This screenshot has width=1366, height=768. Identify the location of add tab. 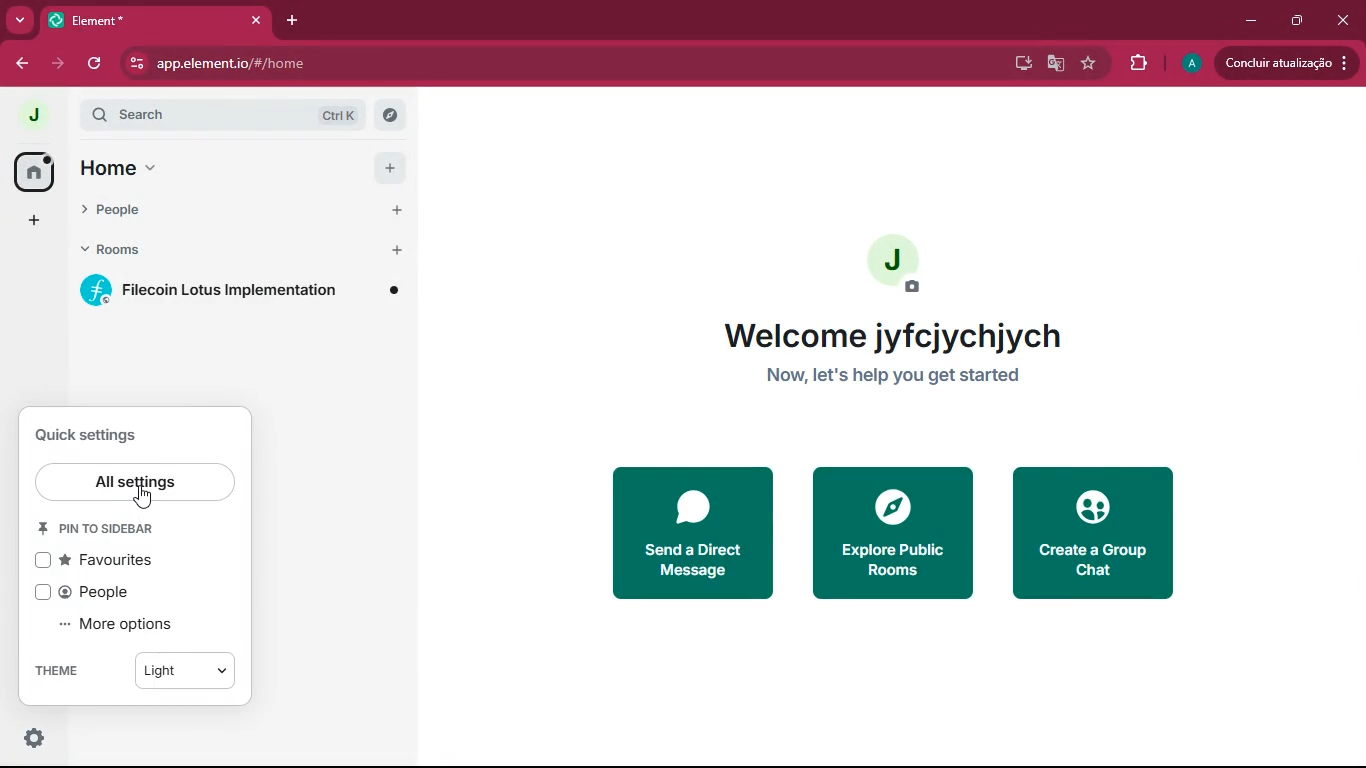
(294, 21).